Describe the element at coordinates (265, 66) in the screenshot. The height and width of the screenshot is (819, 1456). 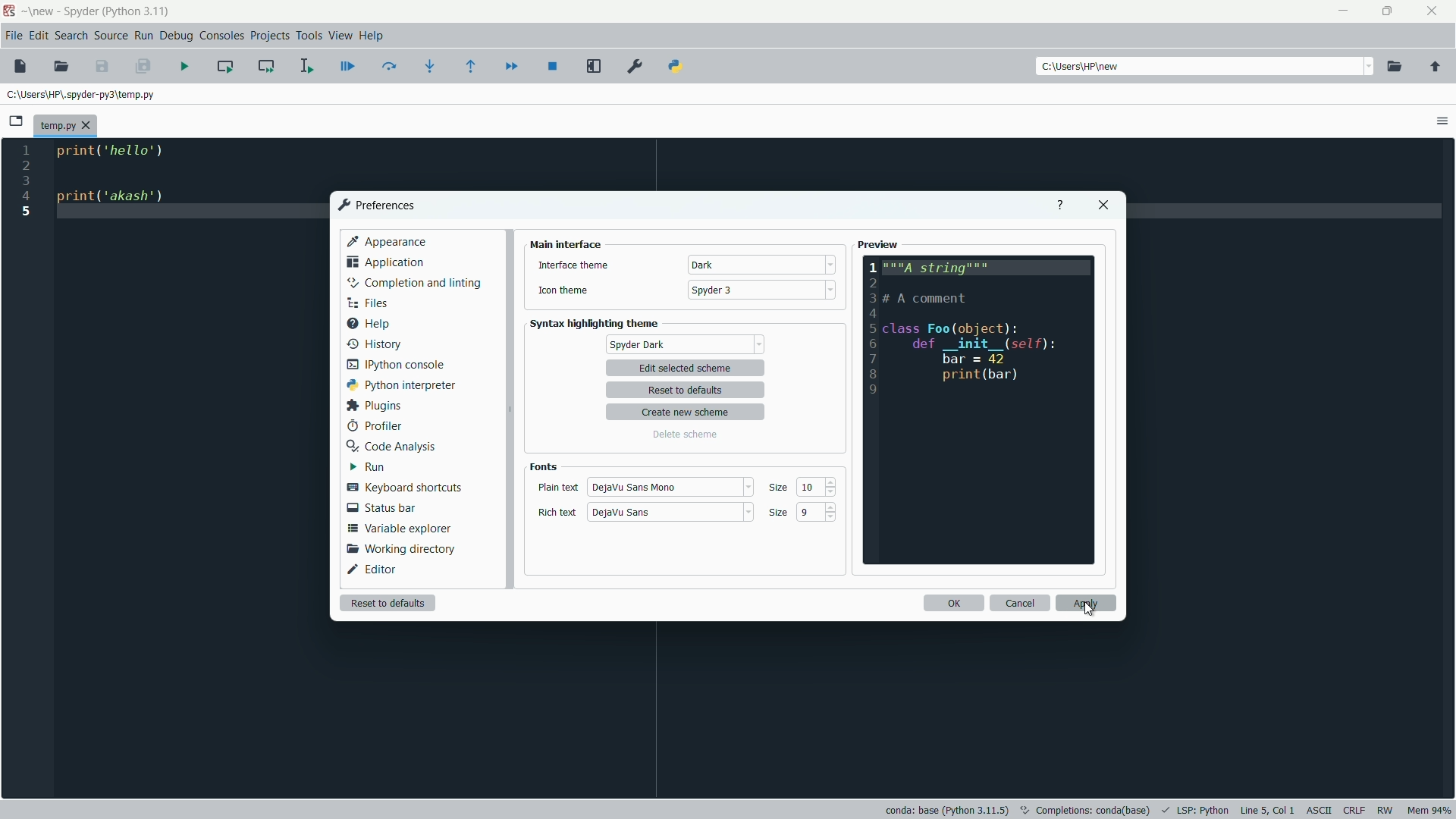
I see `run current cell and go to the next one` at that location.